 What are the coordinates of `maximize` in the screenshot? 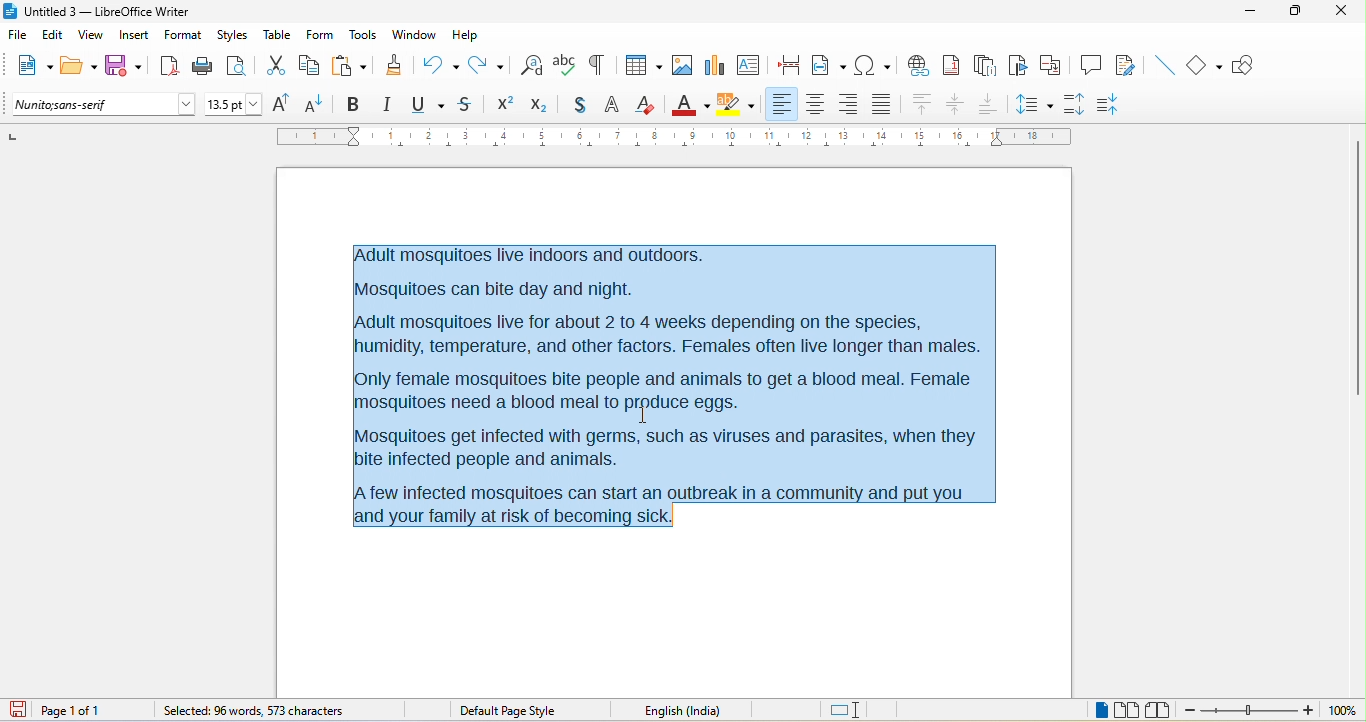 It's located at (1298, 15).